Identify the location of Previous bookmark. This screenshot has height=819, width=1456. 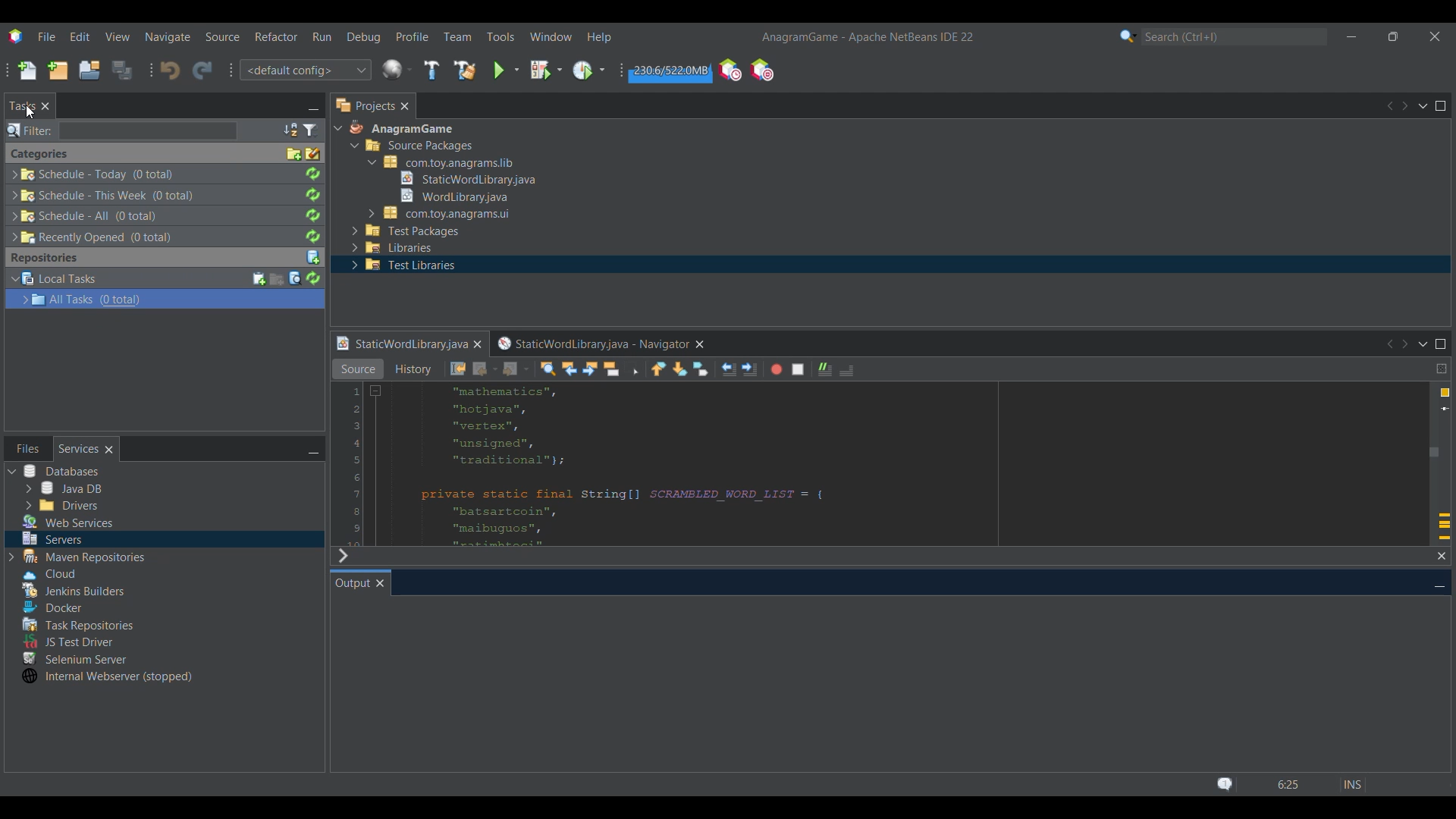
(658, 369).